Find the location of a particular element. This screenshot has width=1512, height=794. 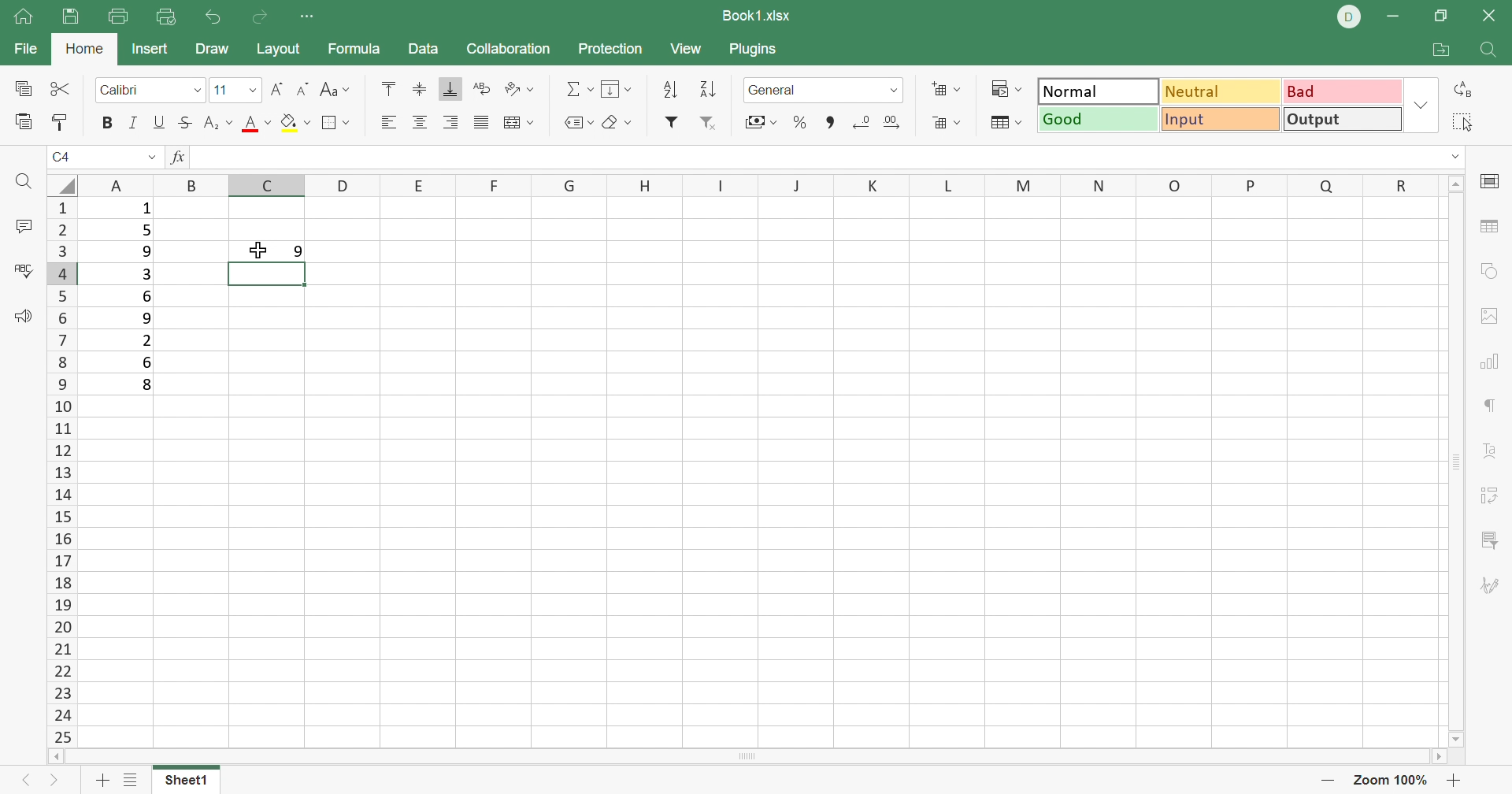

Drop Down is located at coordinates (1421, 106).